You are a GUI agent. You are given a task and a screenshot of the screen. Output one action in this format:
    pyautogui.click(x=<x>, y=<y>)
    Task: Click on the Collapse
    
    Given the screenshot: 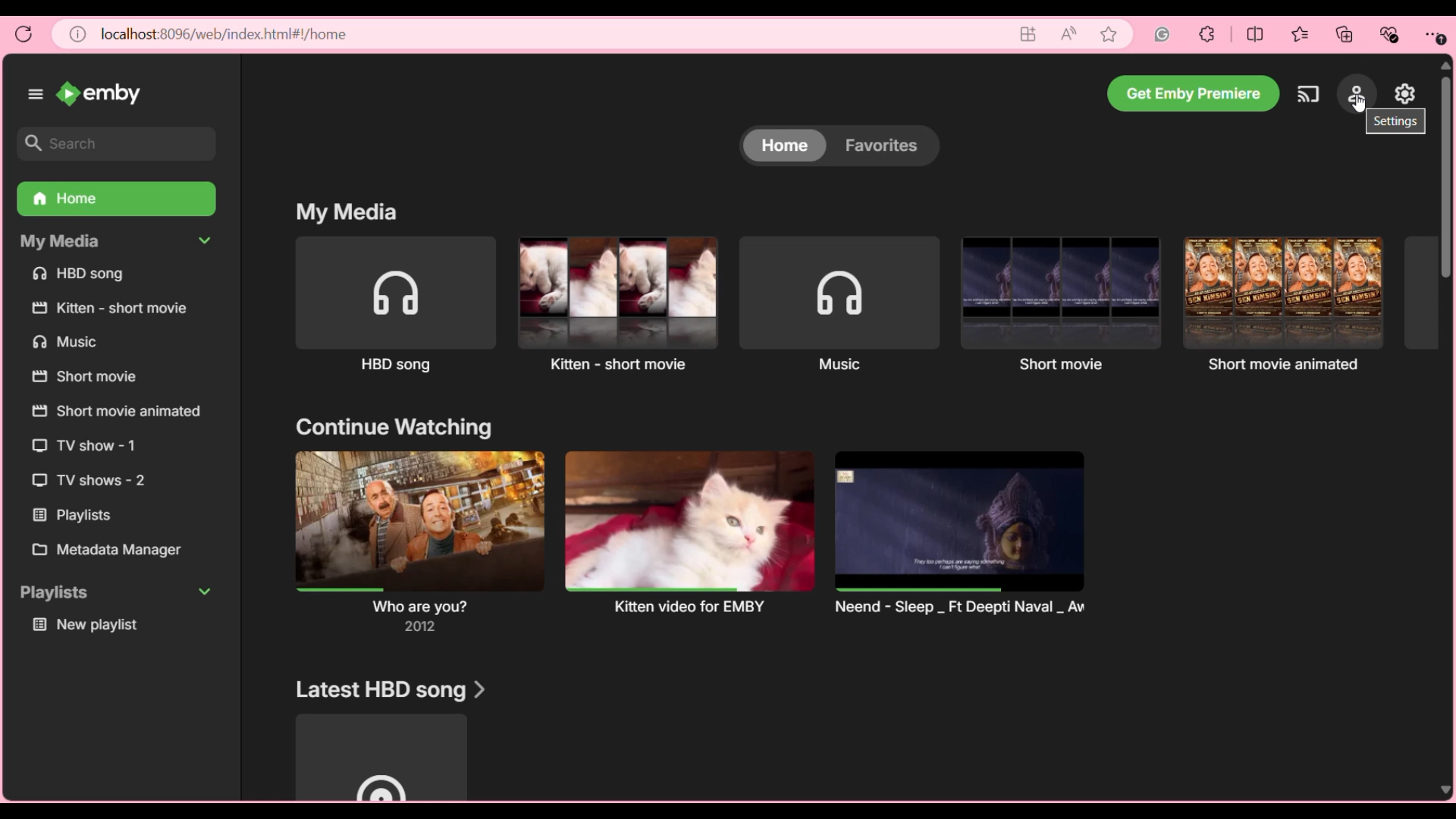 What is the action you would take?
    pyautogui.click(x=205, y=240)
    